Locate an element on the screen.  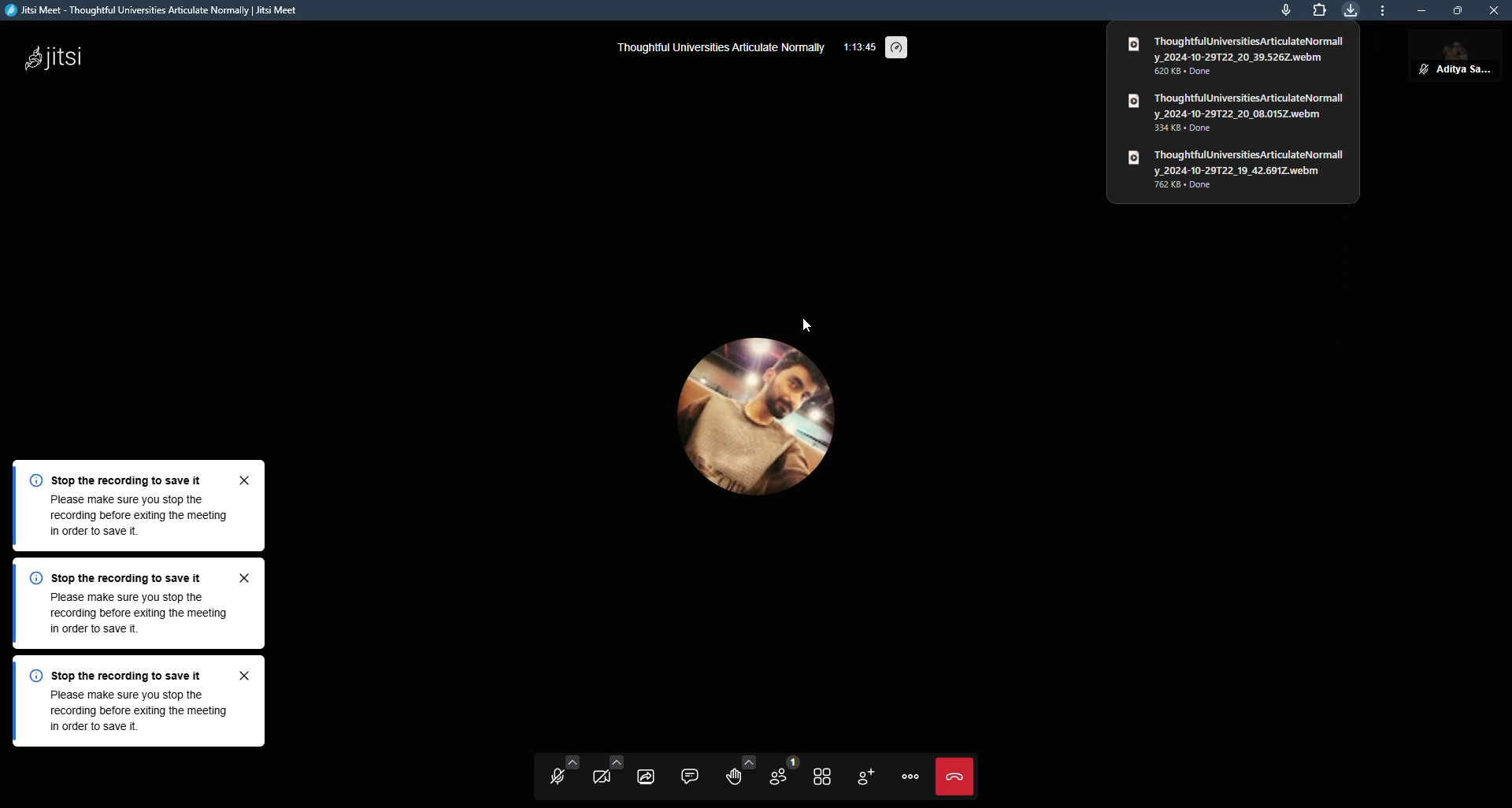
close is located at coordinates (247, 479).